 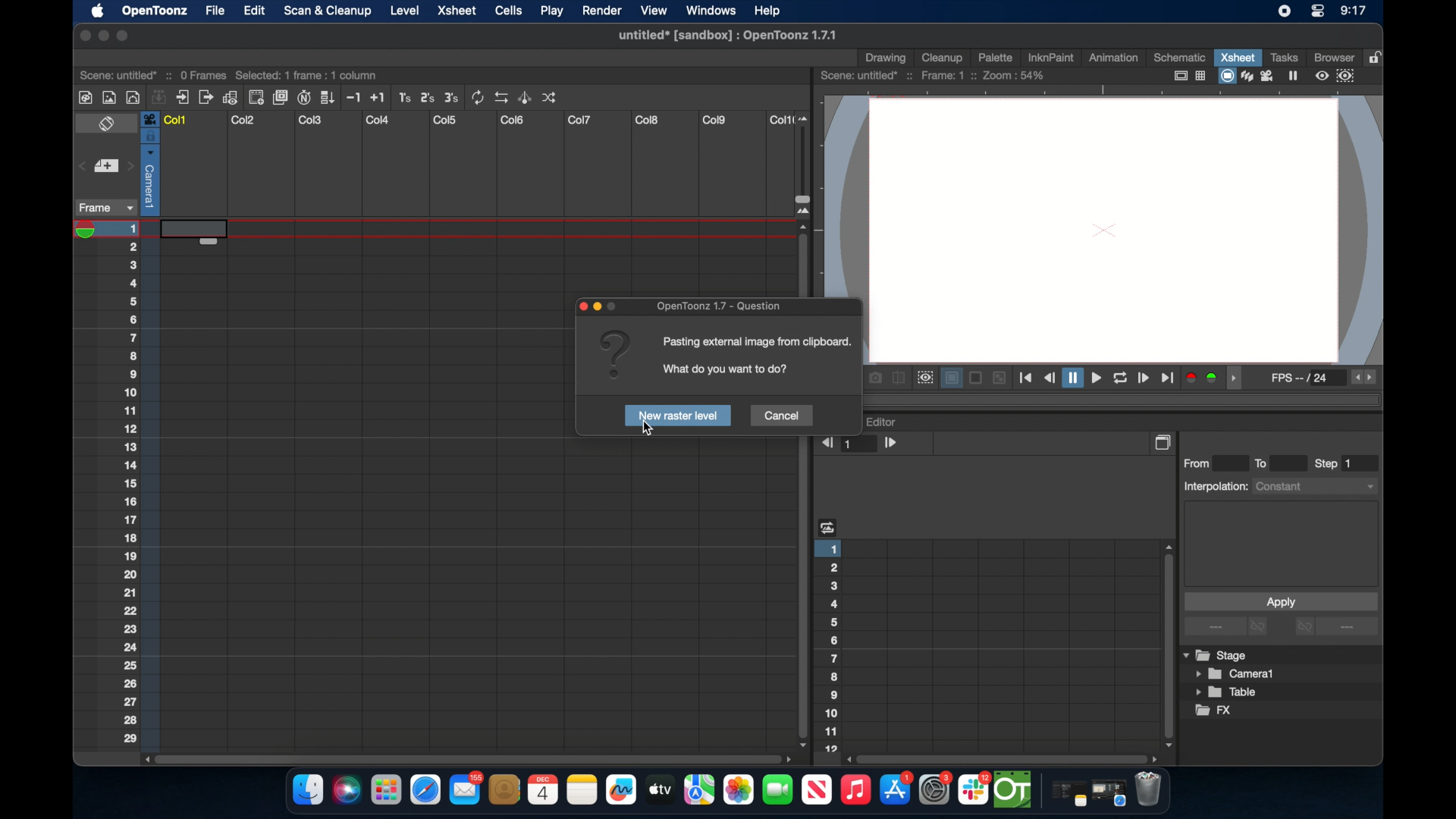 What do you see at coordinates (755, 342) in the screenshot?
I see `info` at bounding box center [755, 342].